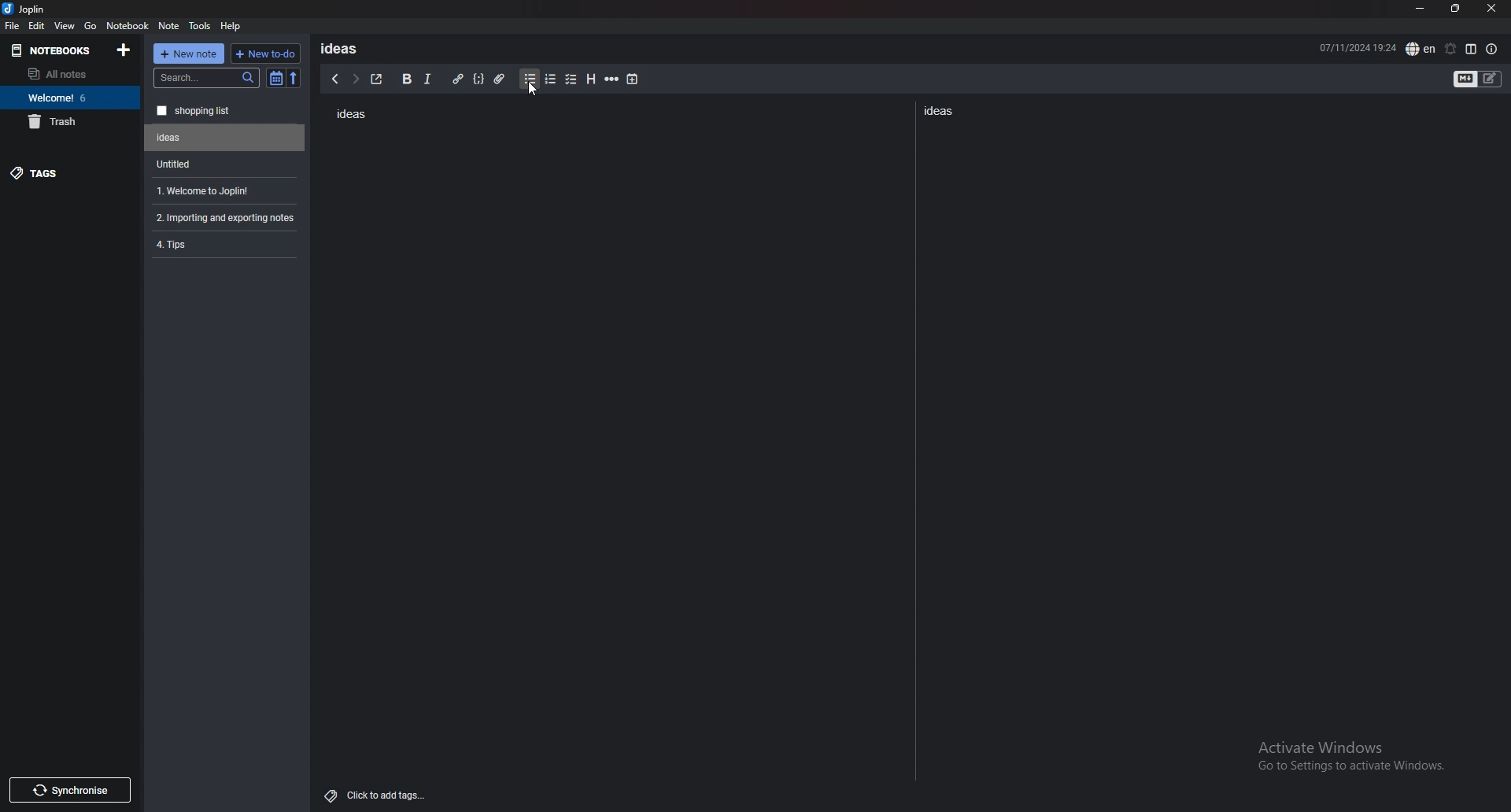  I want to click on hyperlink, so click(457, 79).